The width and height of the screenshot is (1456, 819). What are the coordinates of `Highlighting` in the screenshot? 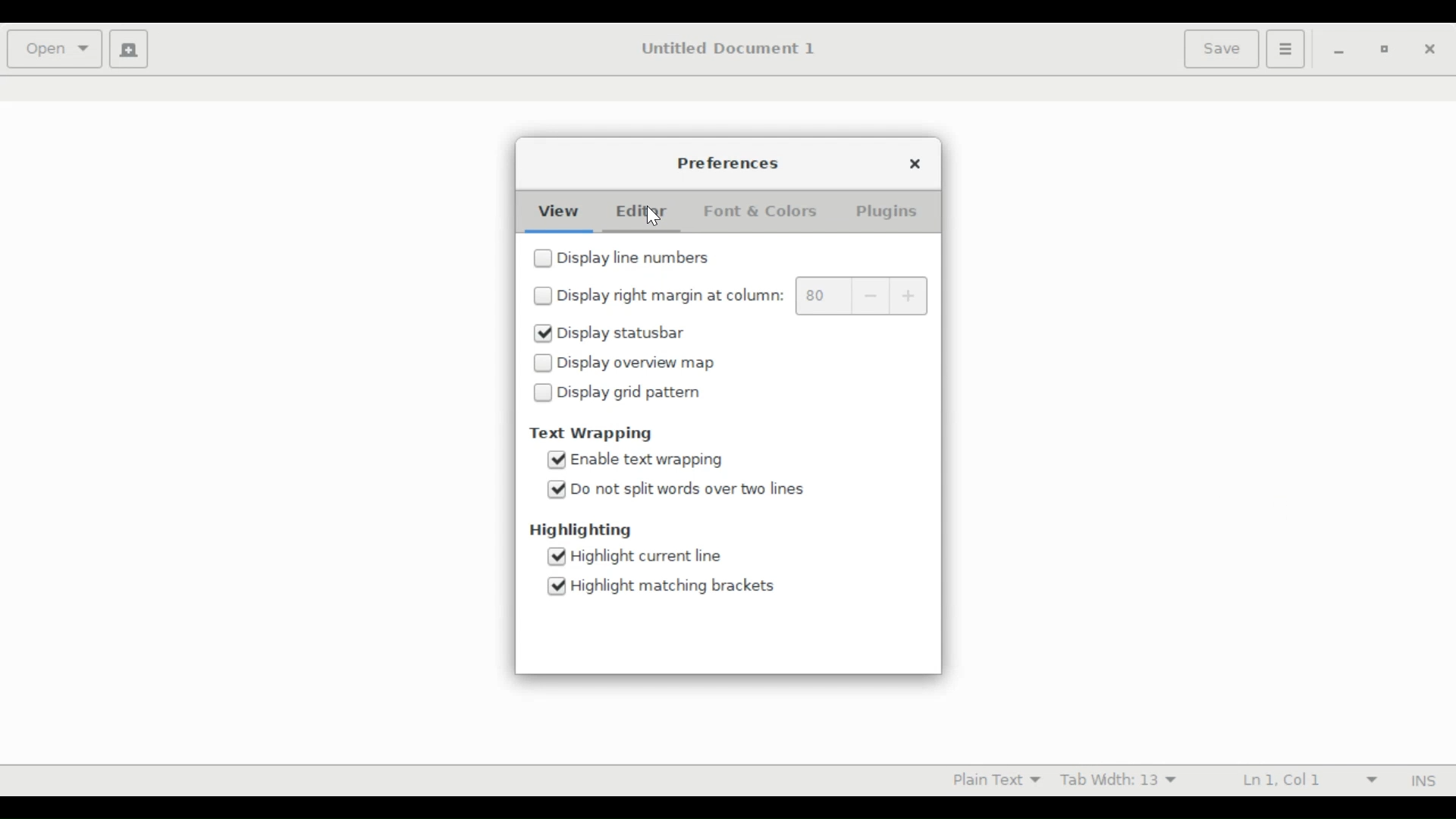 It's located at (588, 530).